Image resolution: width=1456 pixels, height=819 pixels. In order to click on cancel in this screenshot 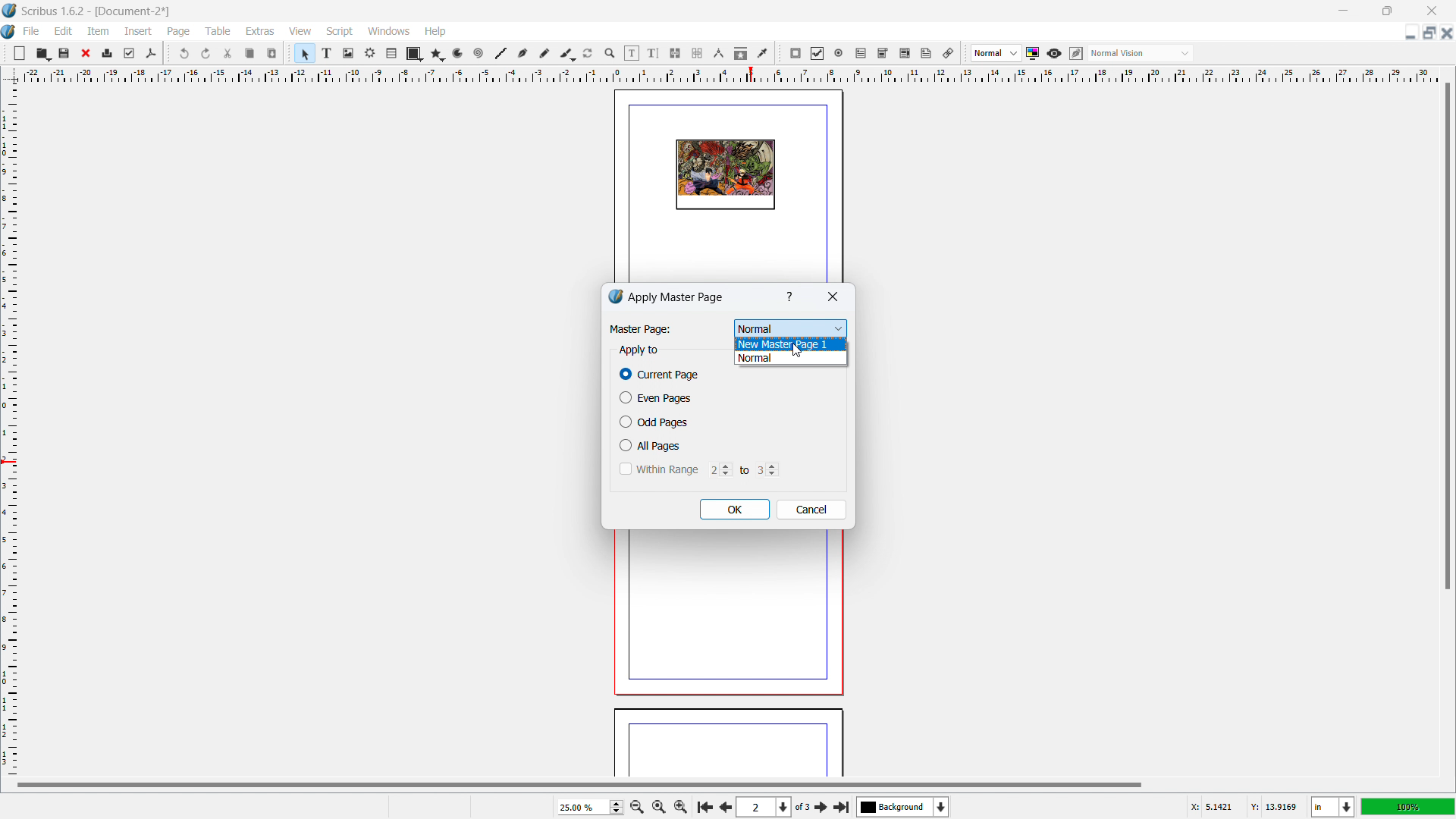, I will do `click(811, 510)`.